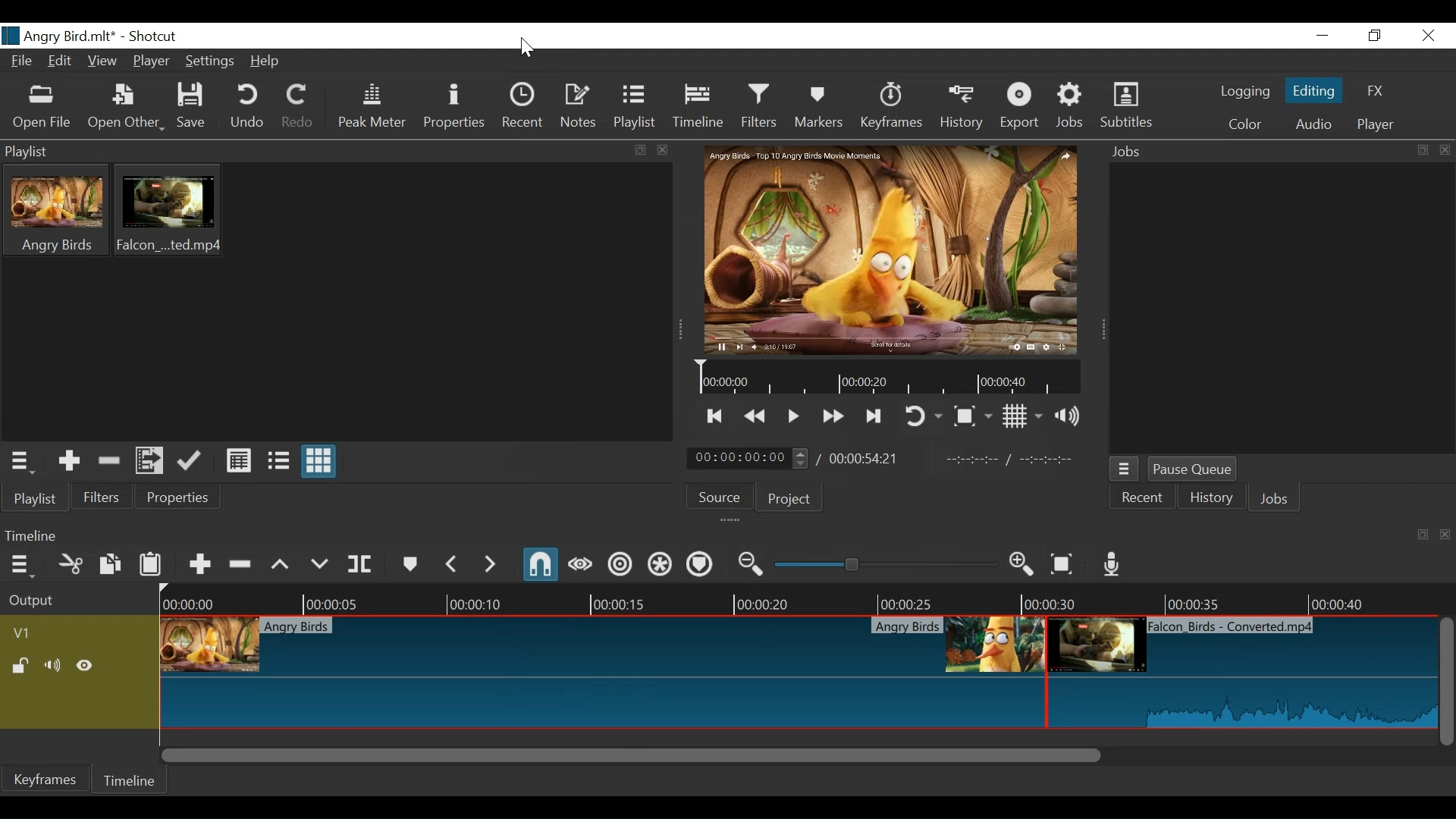  What do you see at coordinates (410, 566) in the screenshot?
I see `Marker` at bounding box center [410, 566].